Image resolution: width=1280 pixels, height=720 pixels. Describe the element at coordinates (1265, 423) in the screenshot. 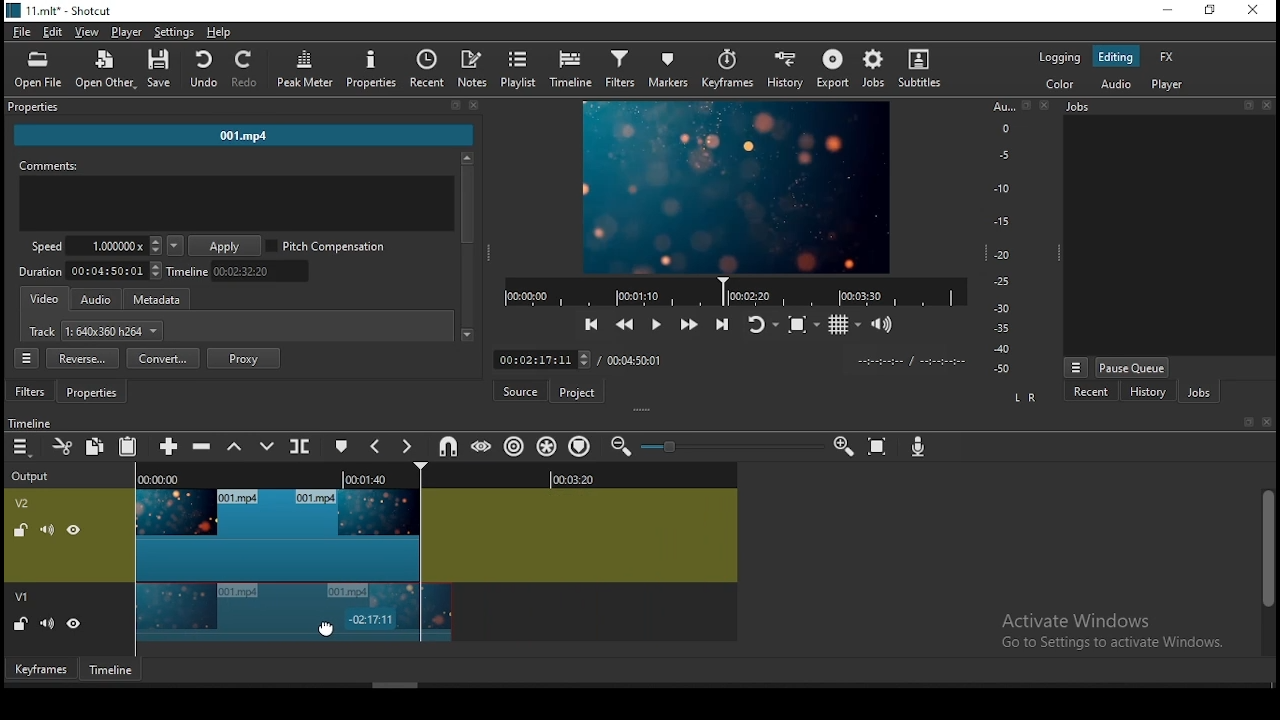

I see `CLOSE` at that location.